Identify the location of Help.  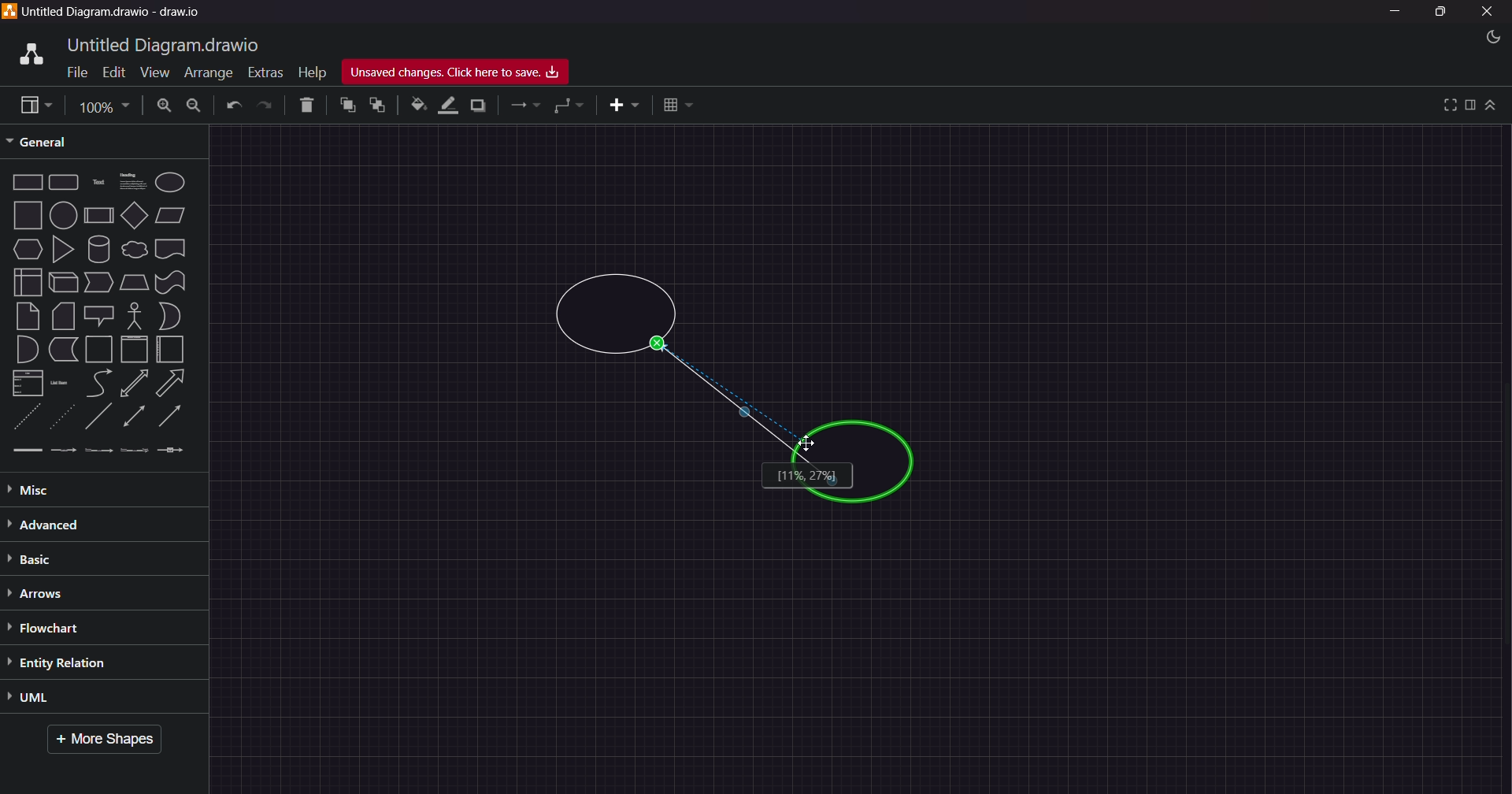
(312, 69).